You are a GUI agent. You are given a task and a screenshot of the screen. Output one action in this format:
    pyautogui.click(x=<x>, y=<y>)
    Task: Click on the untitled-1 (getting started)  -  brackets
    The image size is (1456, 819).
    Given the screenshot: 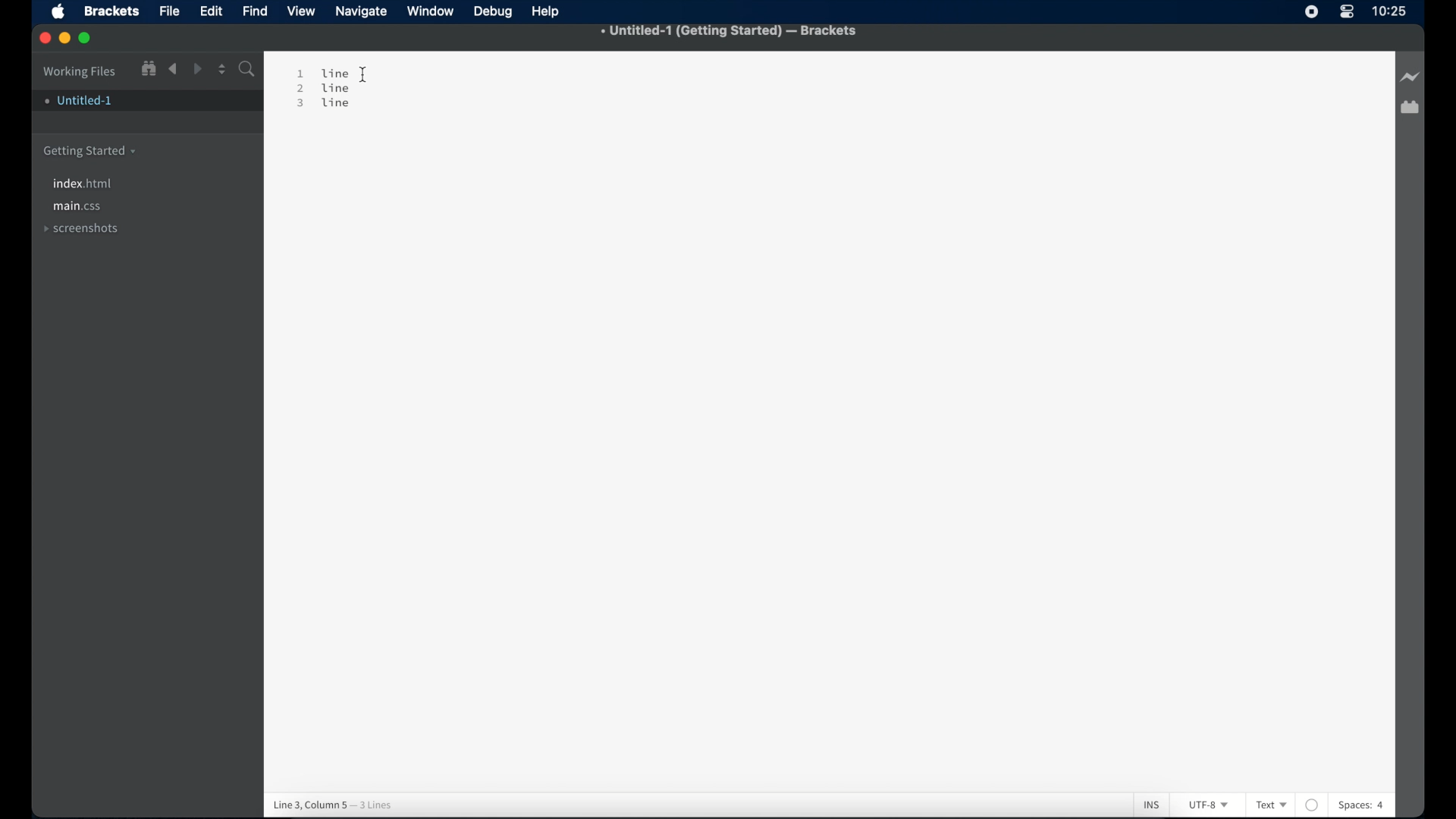 What is the action you would take?
    pyautogui.click(x=730, y=31)
    